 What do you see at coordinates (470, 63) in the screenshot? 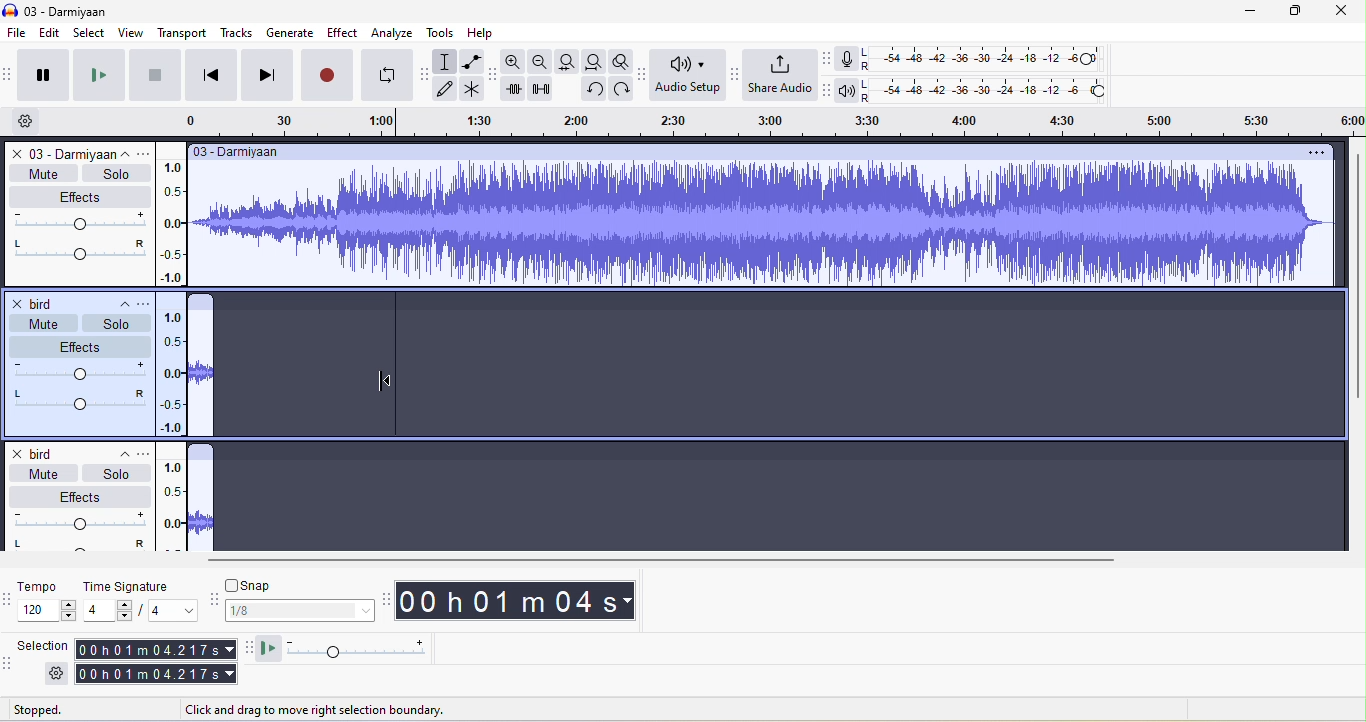
I see `envelope tool` at bounding box center [470, 63].